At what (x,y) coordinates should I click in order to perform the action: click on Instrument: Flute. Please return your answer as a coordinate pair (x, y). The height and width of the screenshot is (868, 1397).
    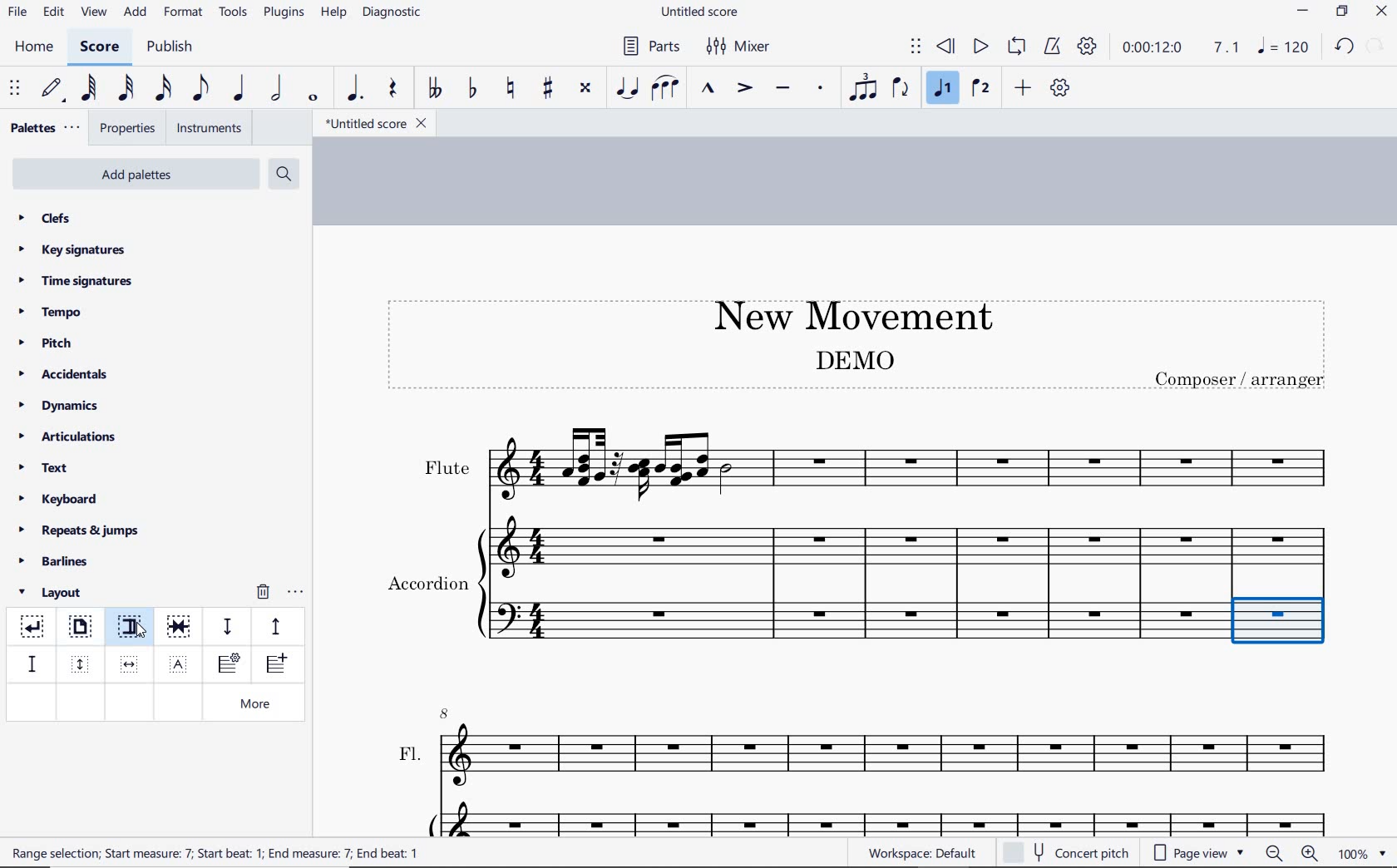
    Looking at the image, I should click on (914, 461).